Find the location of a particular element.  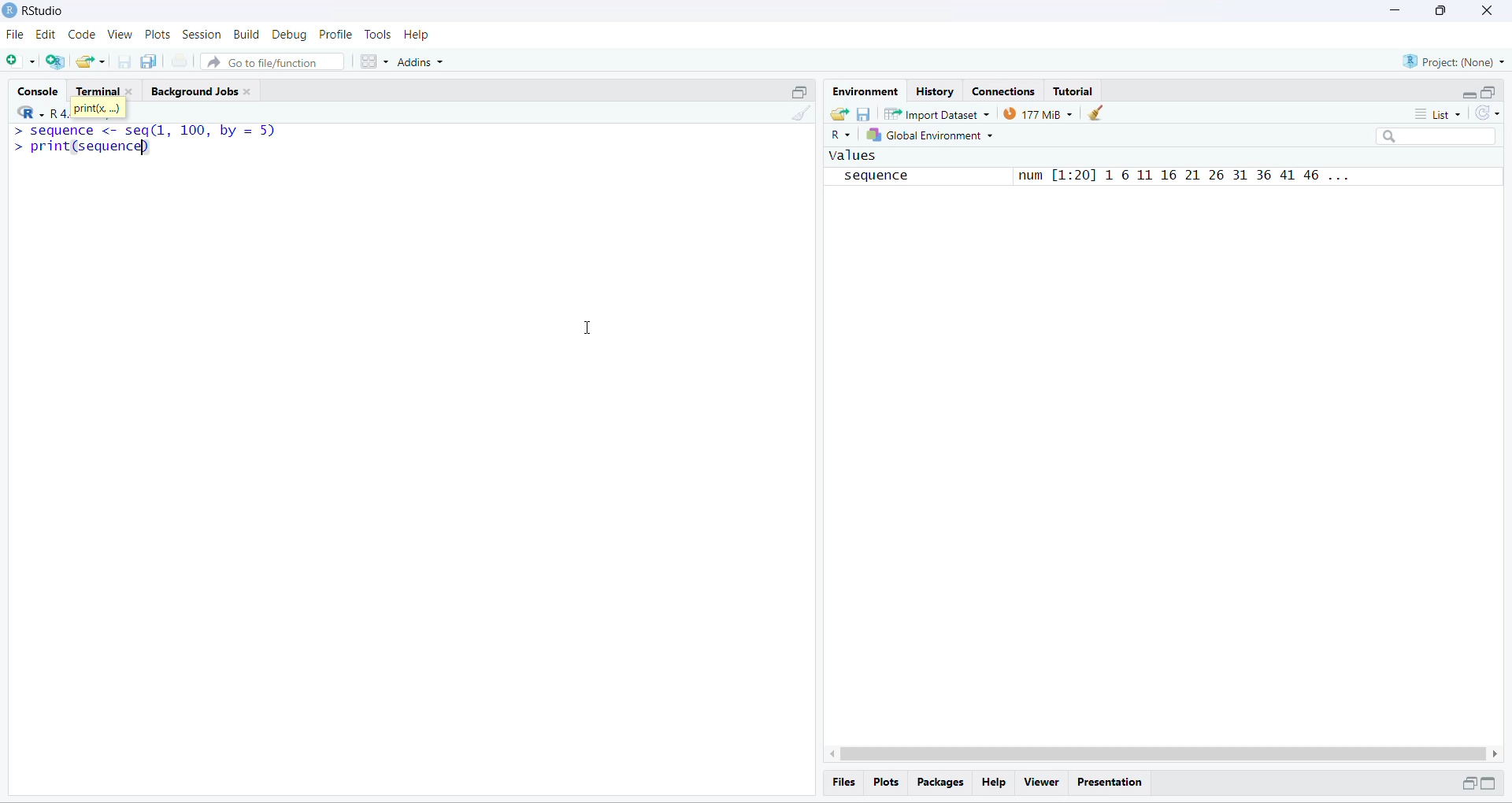

R is located at coordinates (840, 135).